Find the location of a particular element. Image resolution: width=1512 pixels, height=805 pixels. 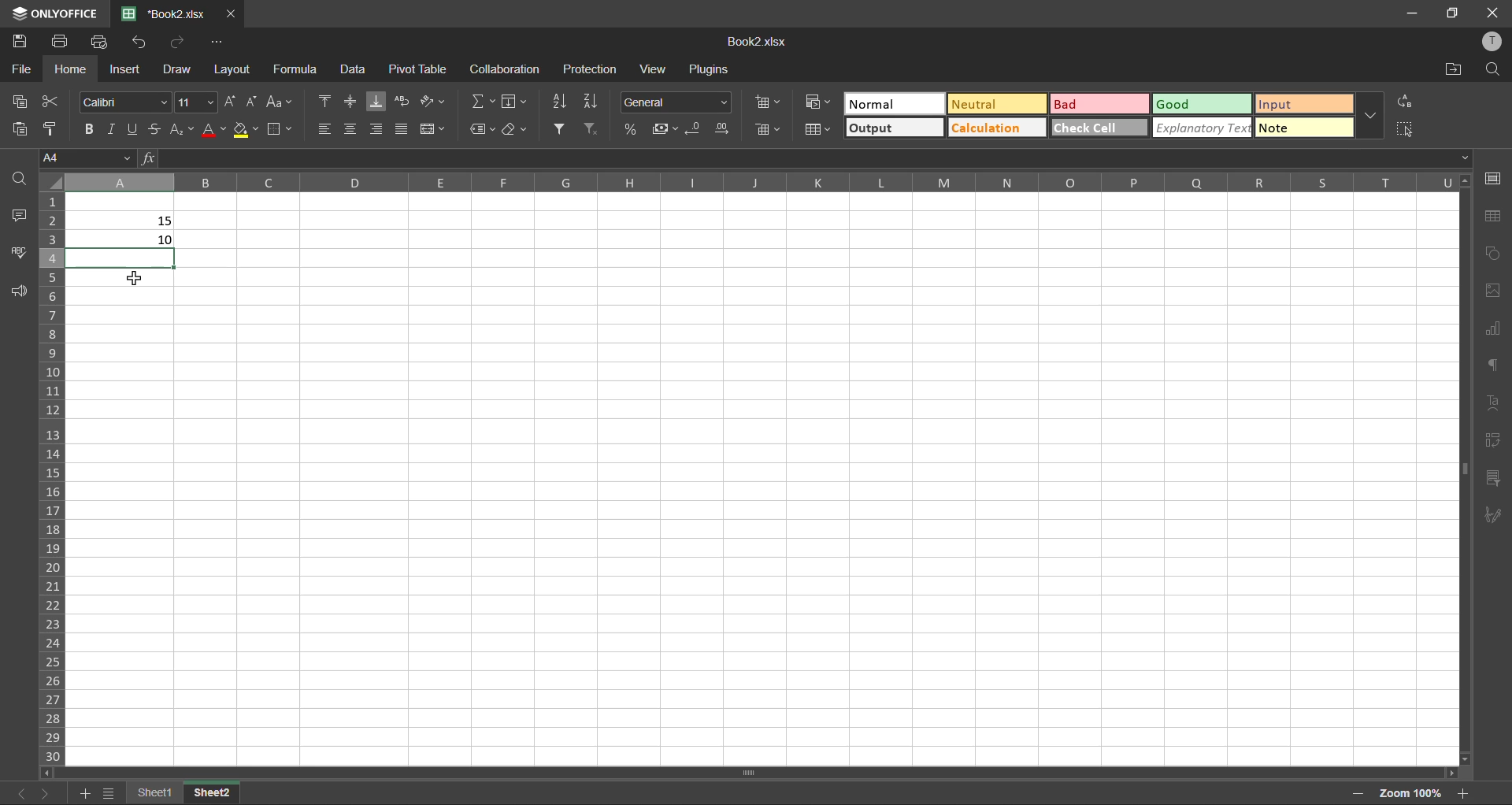

decrement size is located at coordinates (252, 100).